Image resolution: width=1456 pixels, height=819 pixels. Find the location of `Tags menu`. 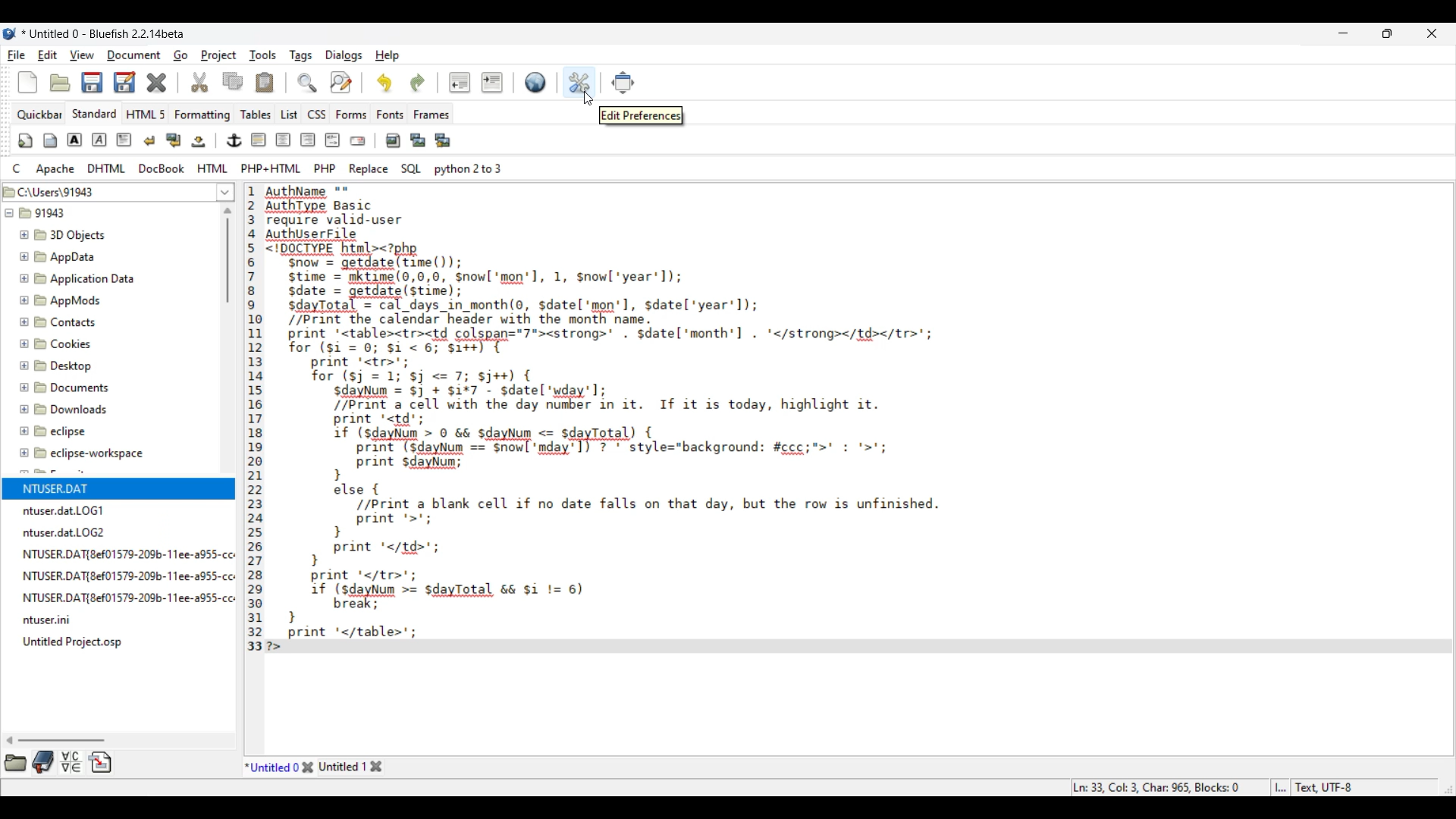

Tags menu is located at coordinates (300, 55).